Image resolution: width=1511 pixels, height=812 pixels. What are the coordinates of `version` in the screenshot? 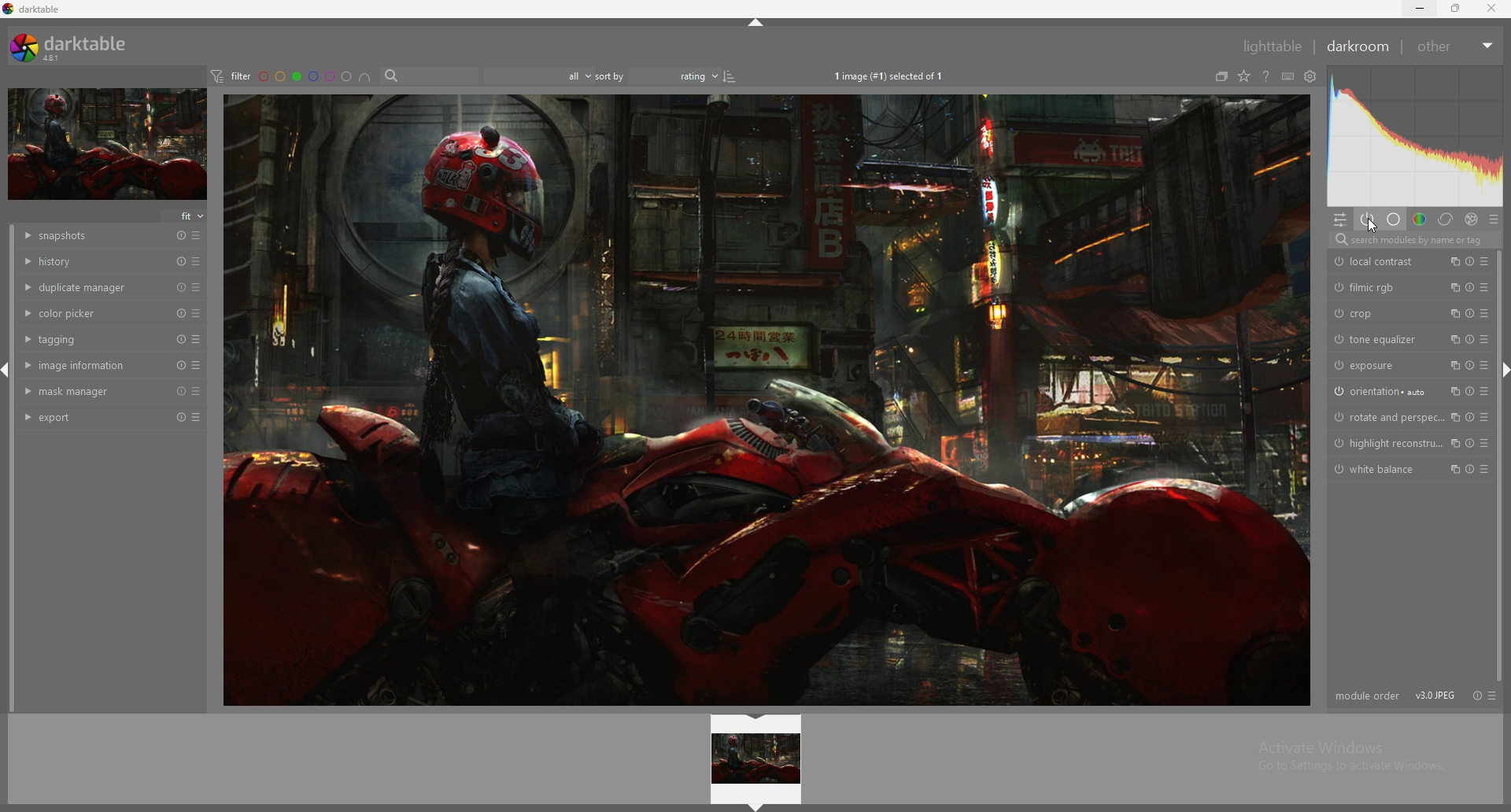 It's located at (1436, 695).